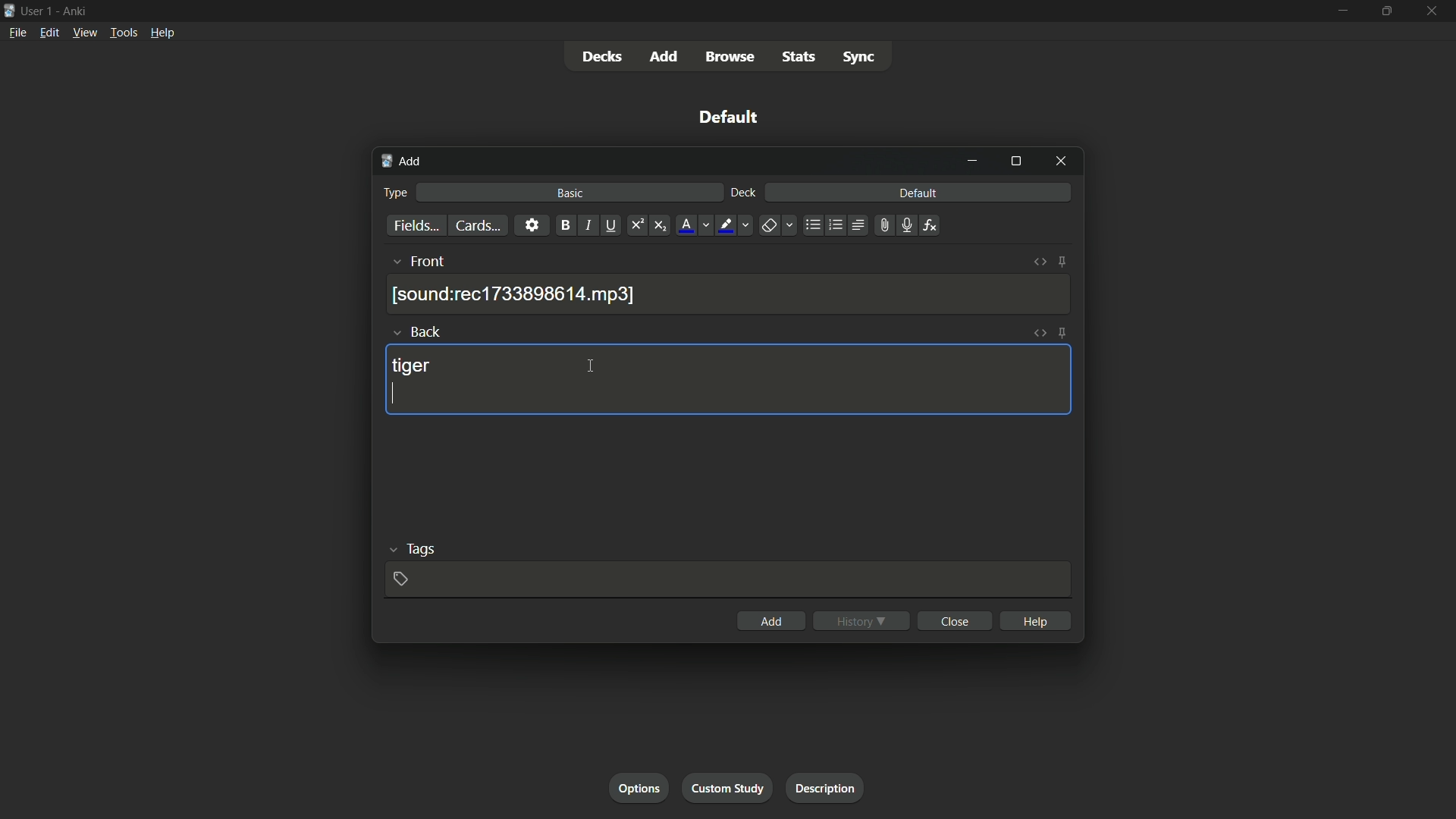 The height and width of the screenshot is (819, 1456). I want to click on add, so click(665, 56).